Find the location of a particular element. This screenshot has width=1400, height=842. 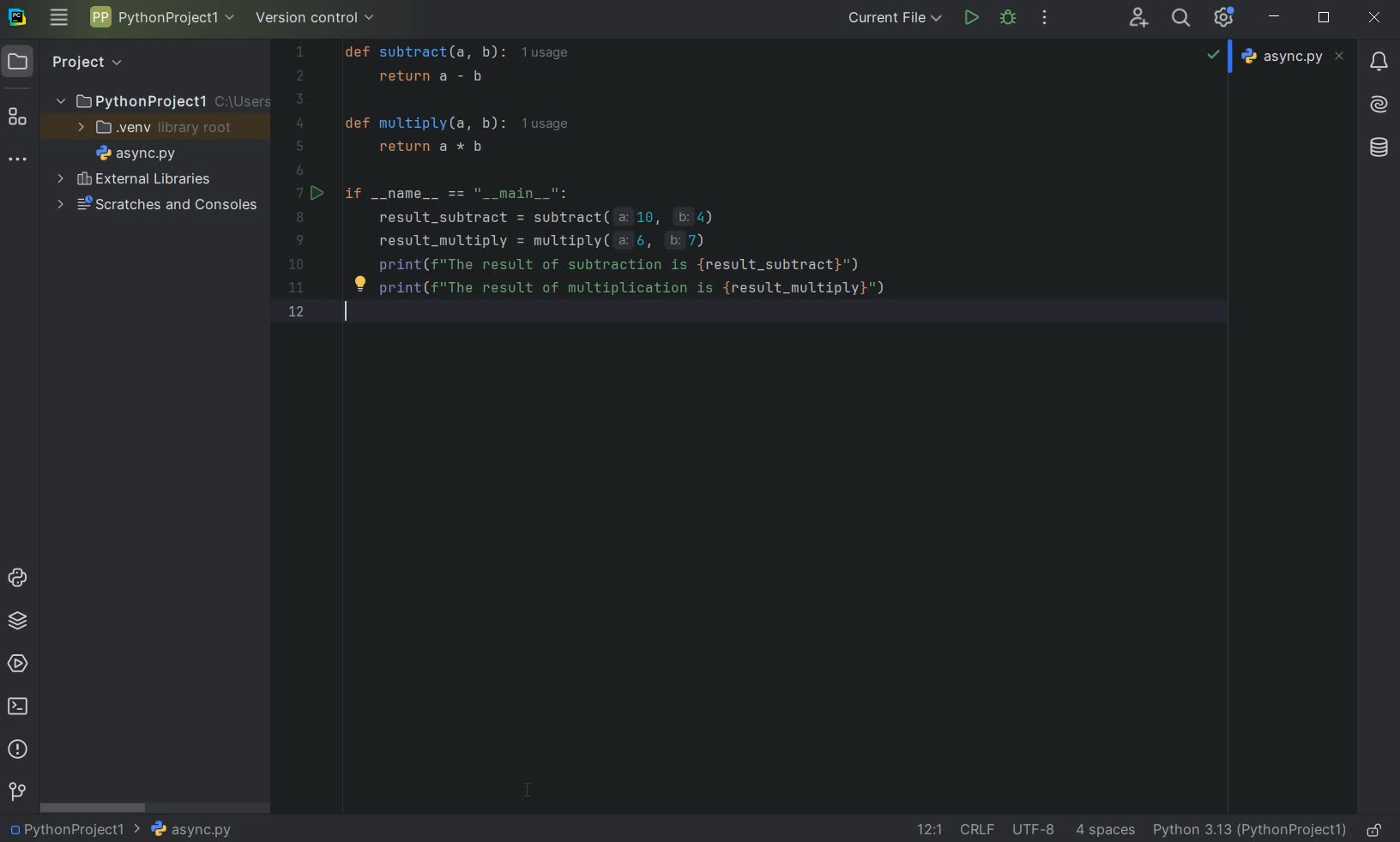

external libraries is located at coordinates (135, 181).